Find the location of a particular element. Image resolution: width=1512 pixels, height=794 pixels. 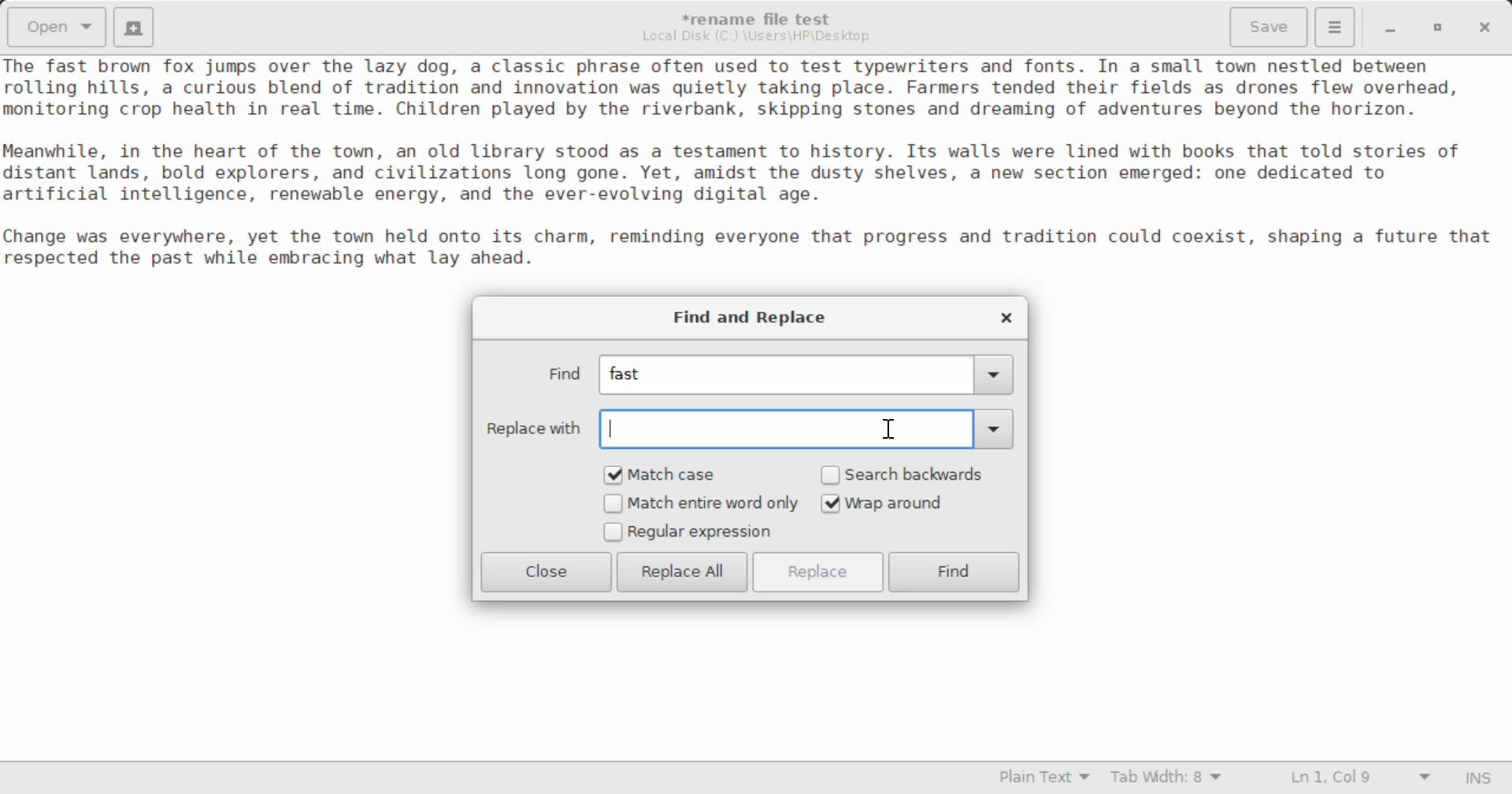

Create New Document is located at coordinates (136, 27).